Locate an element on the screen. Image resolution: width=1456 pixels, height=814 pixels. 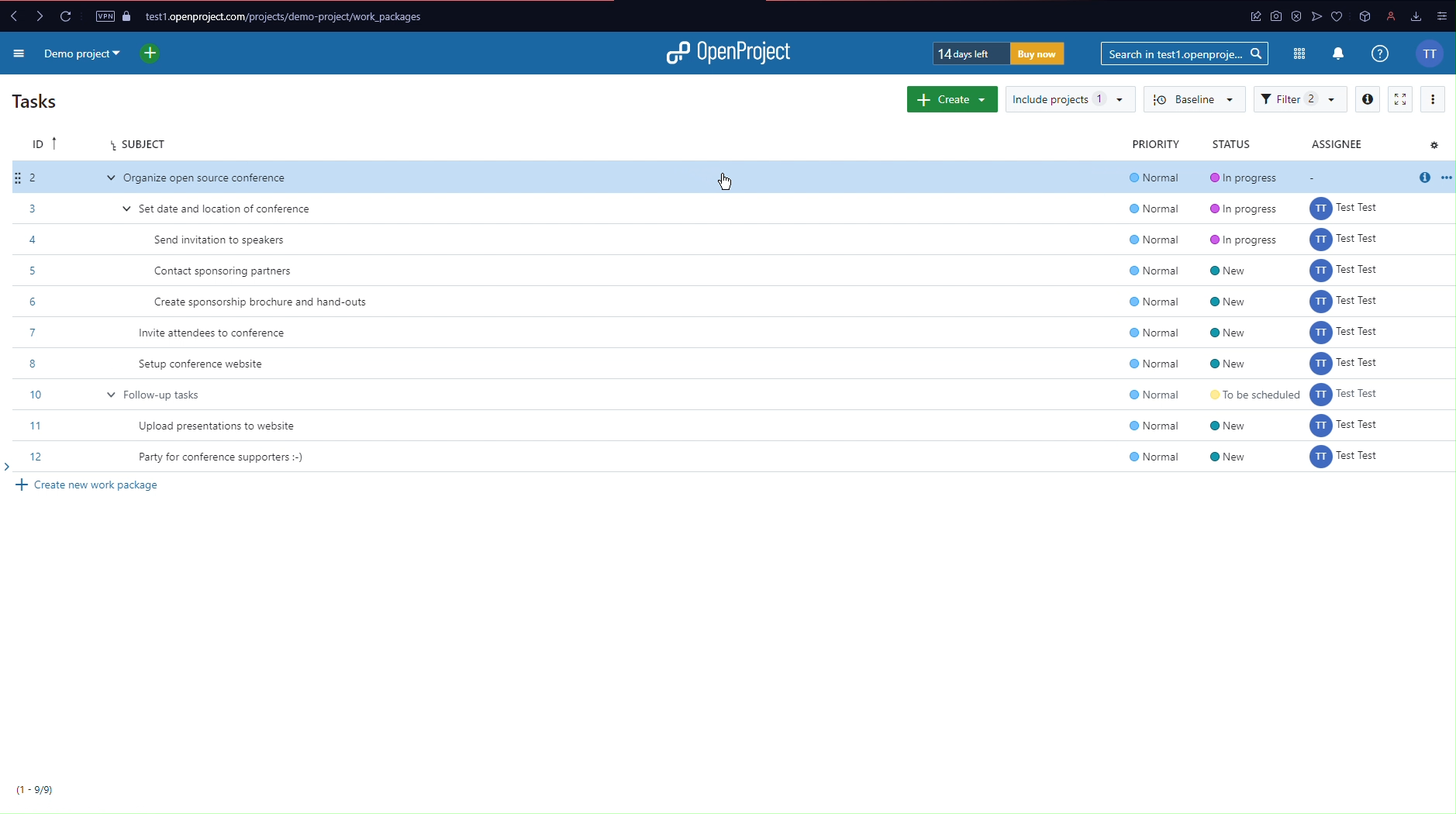
Create is located at coordinates (951, 100).